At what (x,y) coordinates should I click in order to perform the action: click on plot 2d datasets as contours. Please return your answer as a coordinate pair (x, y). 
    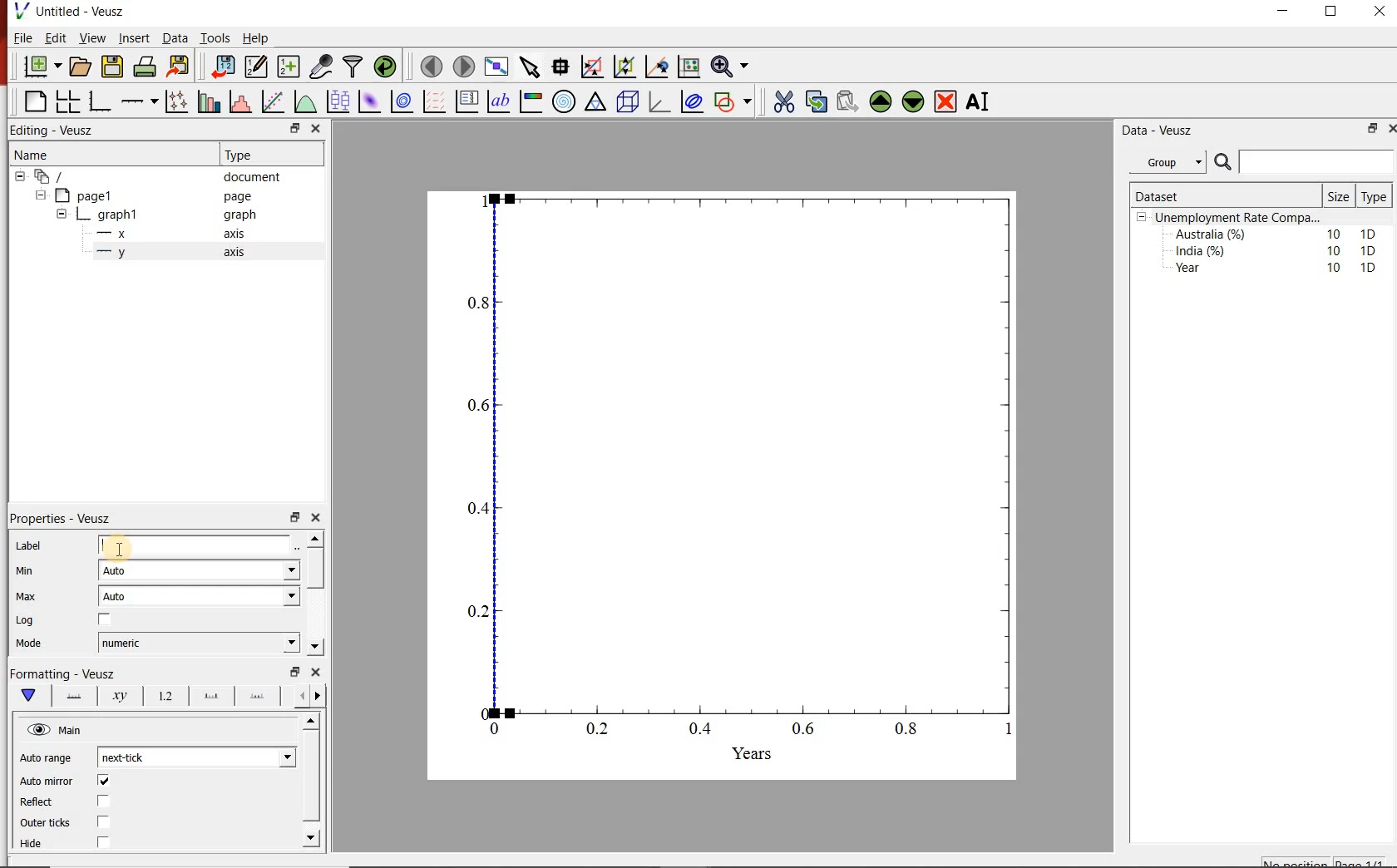
    Looking at the image, I should click on (401, 101).